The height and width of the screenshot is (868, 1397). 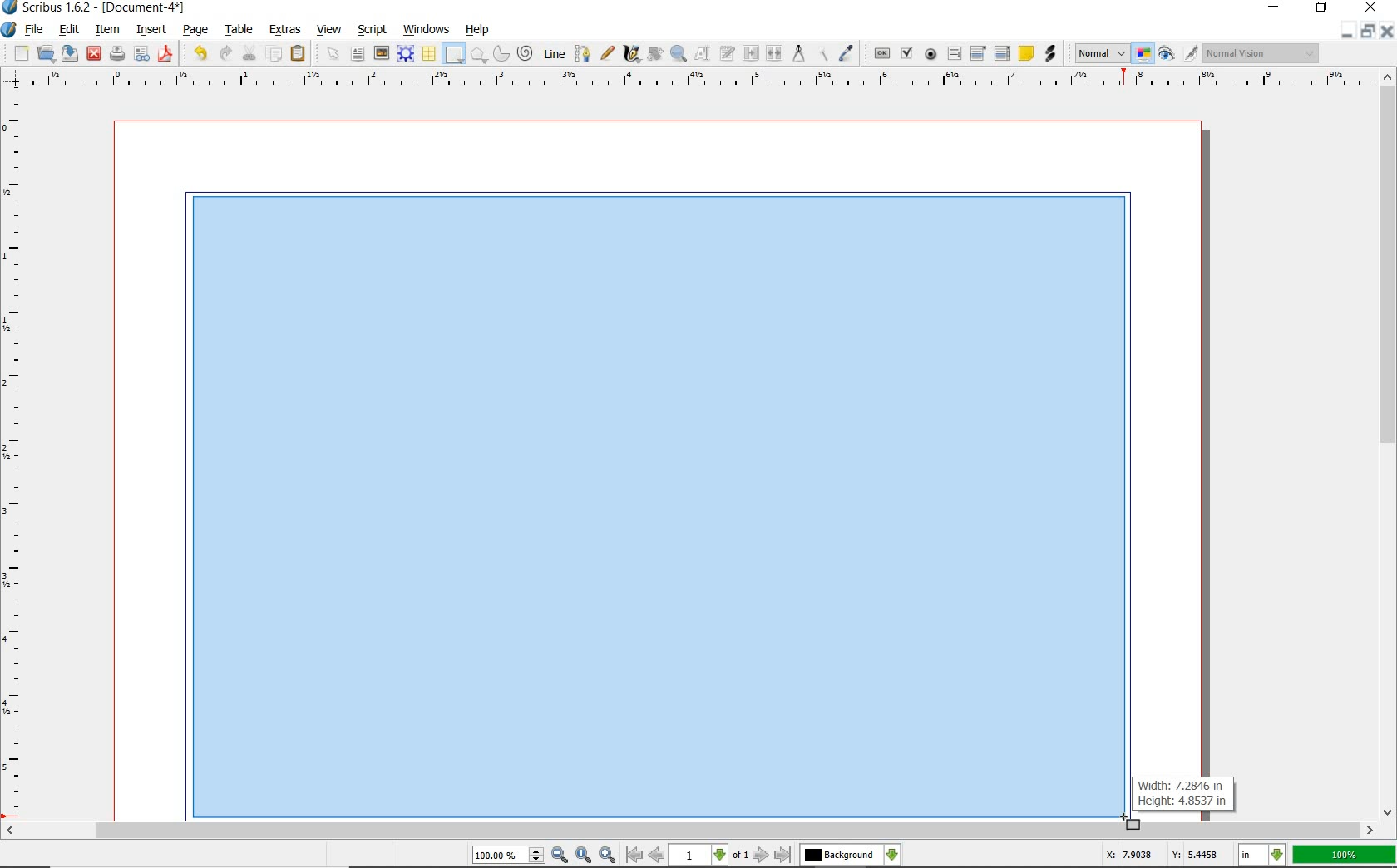 What do you see at coordinates (106, 29) in the screenshot?
I see `item` at bounding box center [106, 29].